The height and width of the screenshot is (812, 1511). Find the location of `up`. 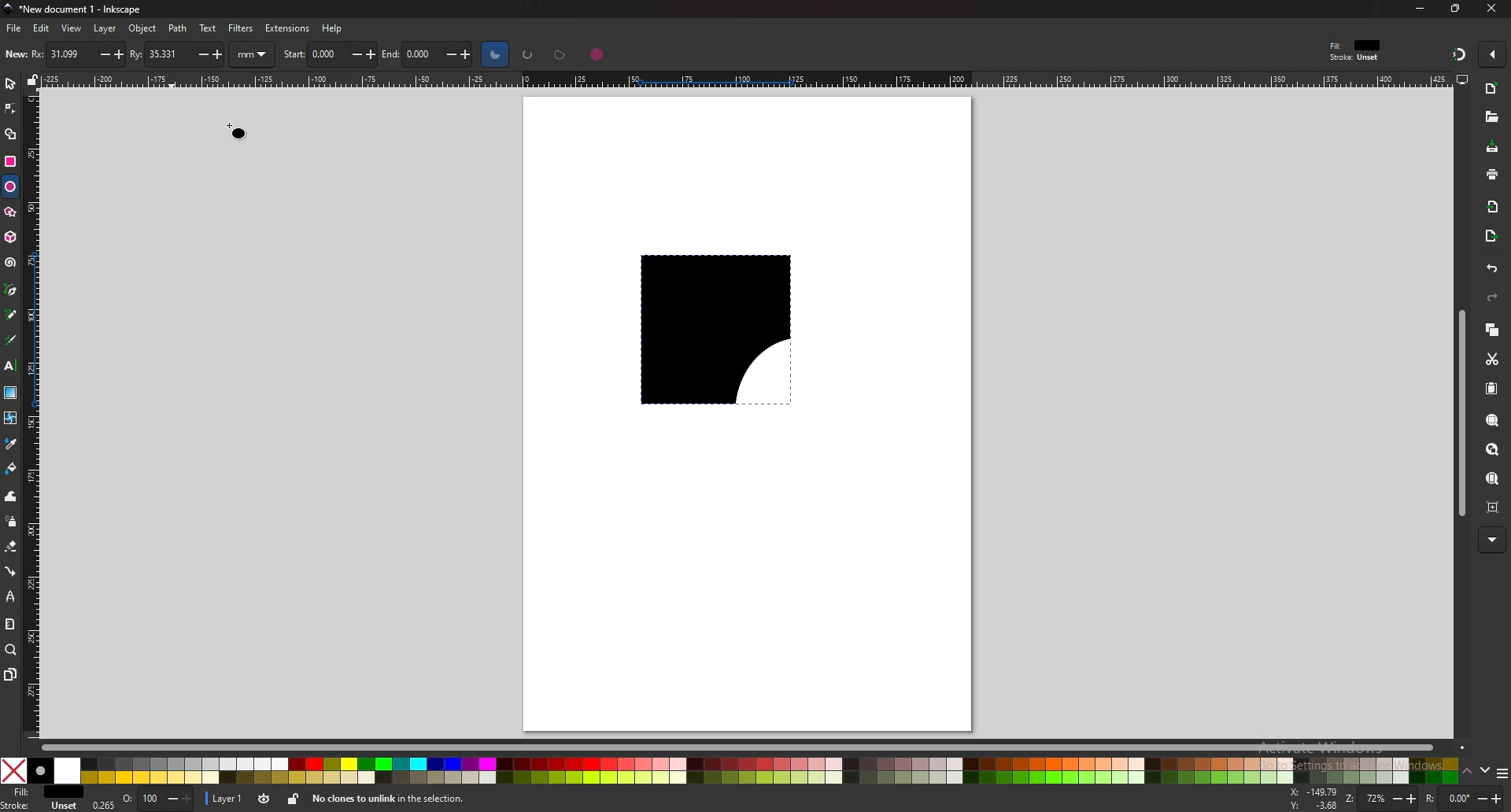

up is located at coordinates (1469, 772).